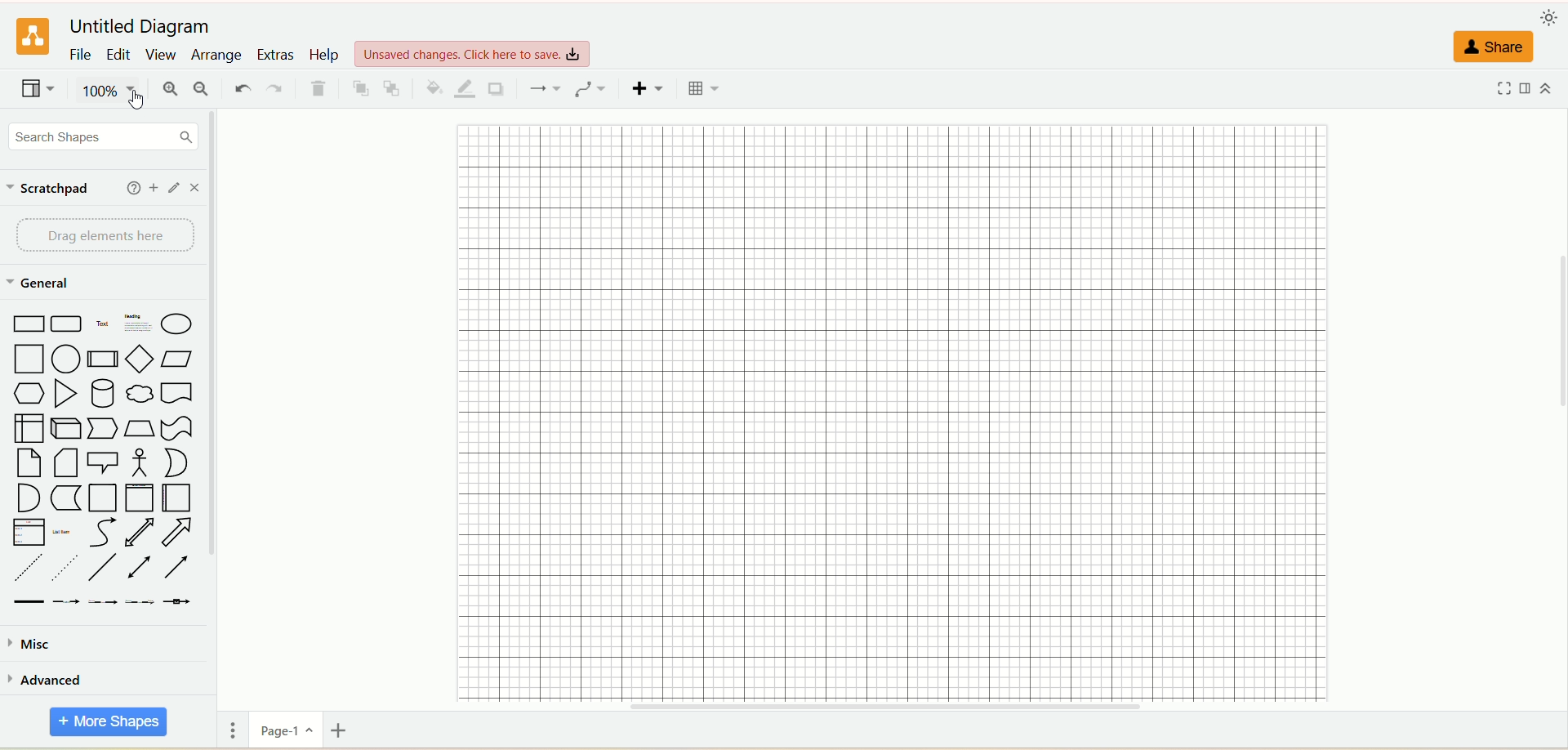 This screenshot has width=1568, height=750. What do you see at coordinates (64, 532) in the screenshot?
I see `list items` at bounding box center [64, 532].